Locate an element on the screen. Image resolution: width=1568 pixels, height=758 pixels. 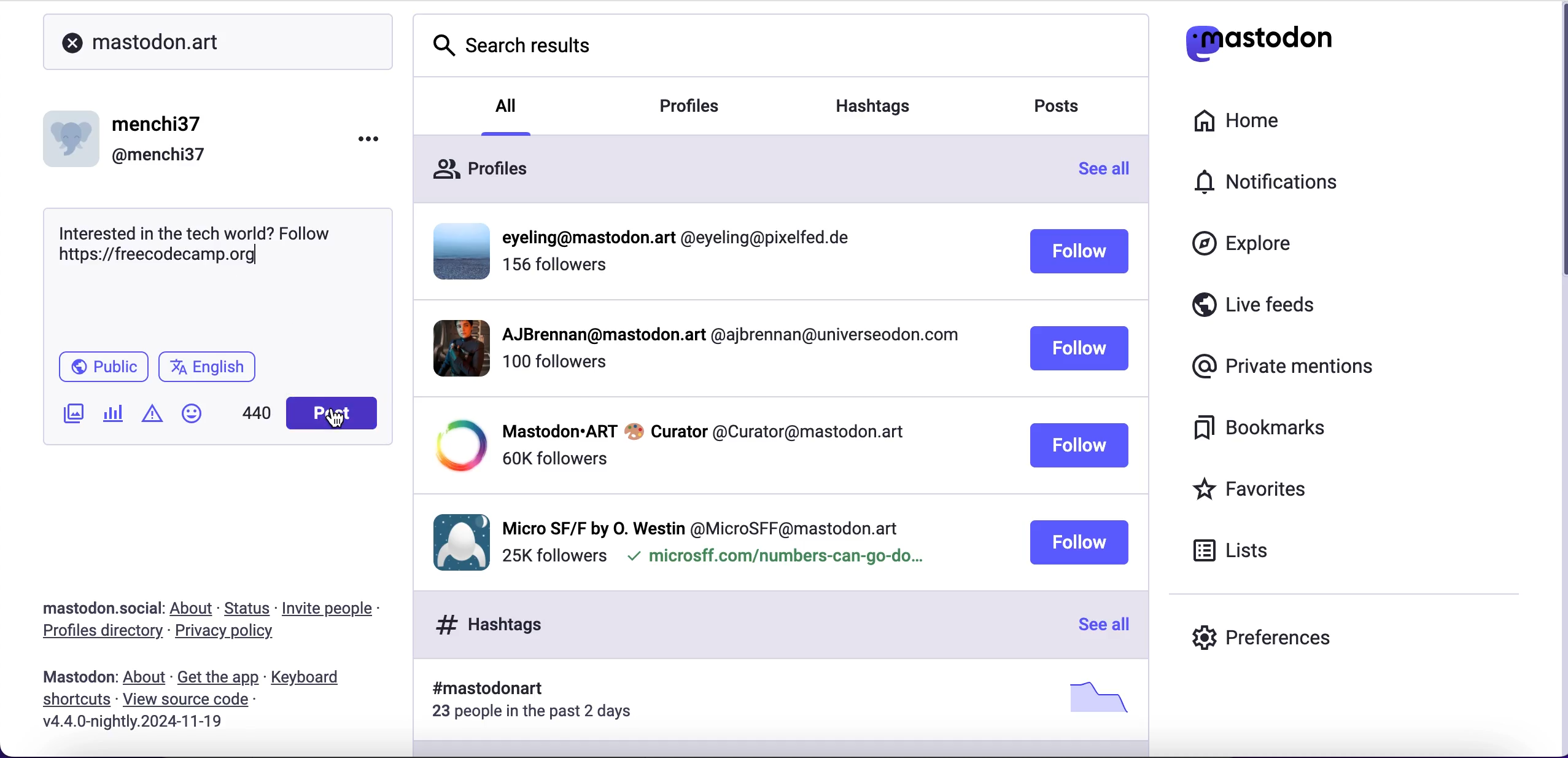
all is located at coordinates (505, 114).